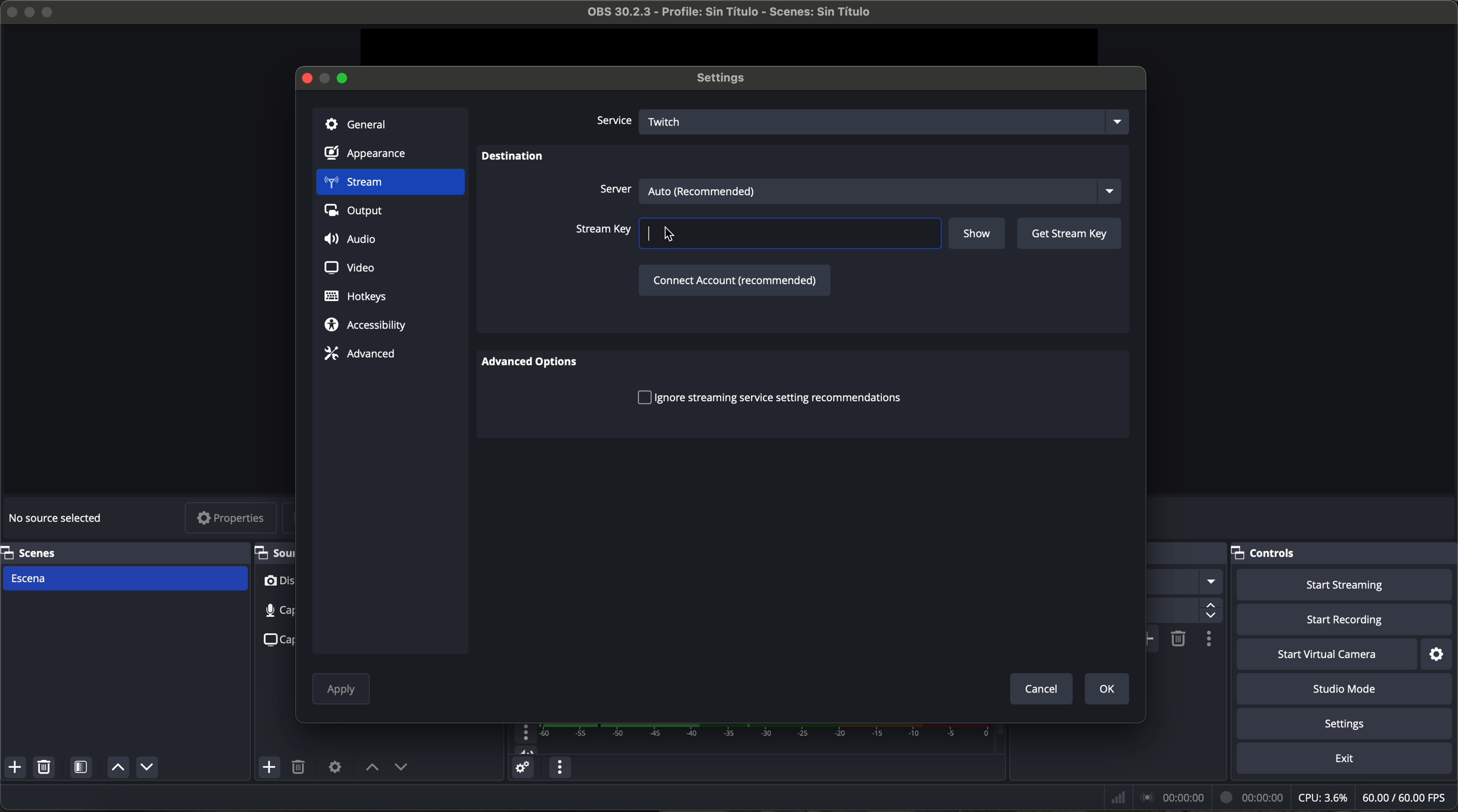 The image size is (1458, 812). I want to click on accessibility, so click(366, 326).